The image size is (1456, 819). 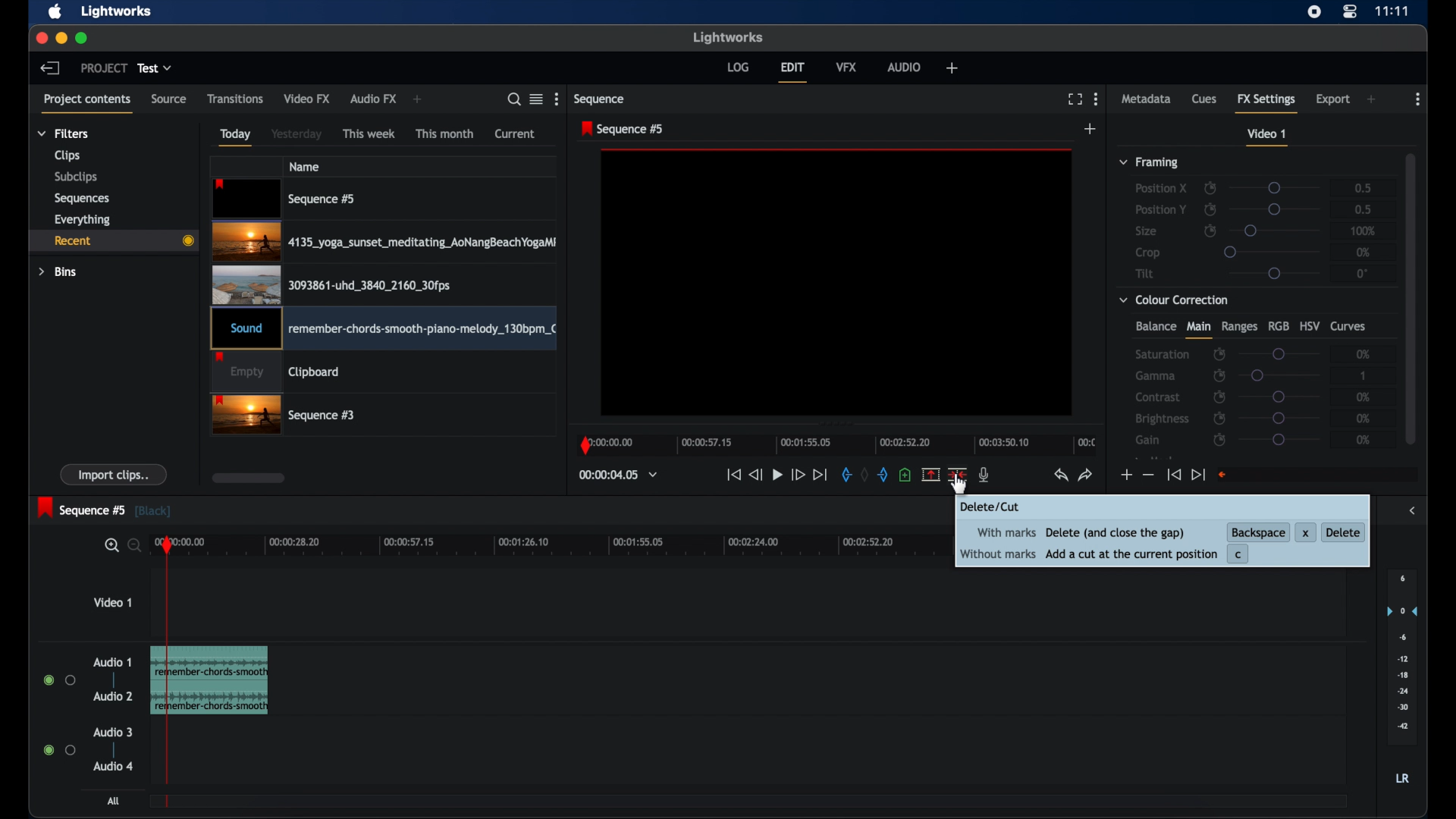 What do you see at coordinates (1365, 418) in the screenshot?
I see `0%` at bounding box center [1365, 418].